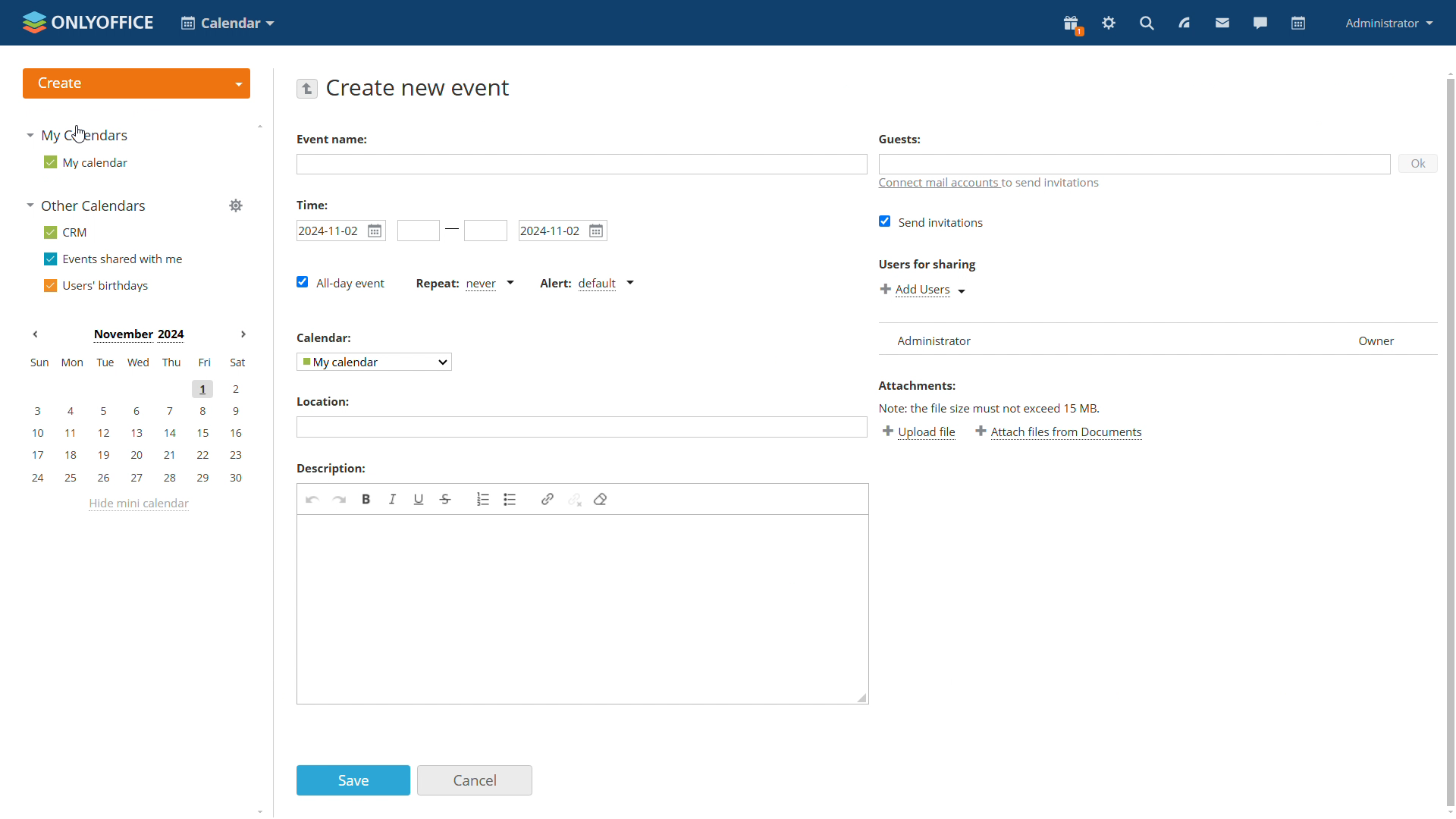 This screenshot has width=1456, height=819. I want to click on search, so click(1148, 23).